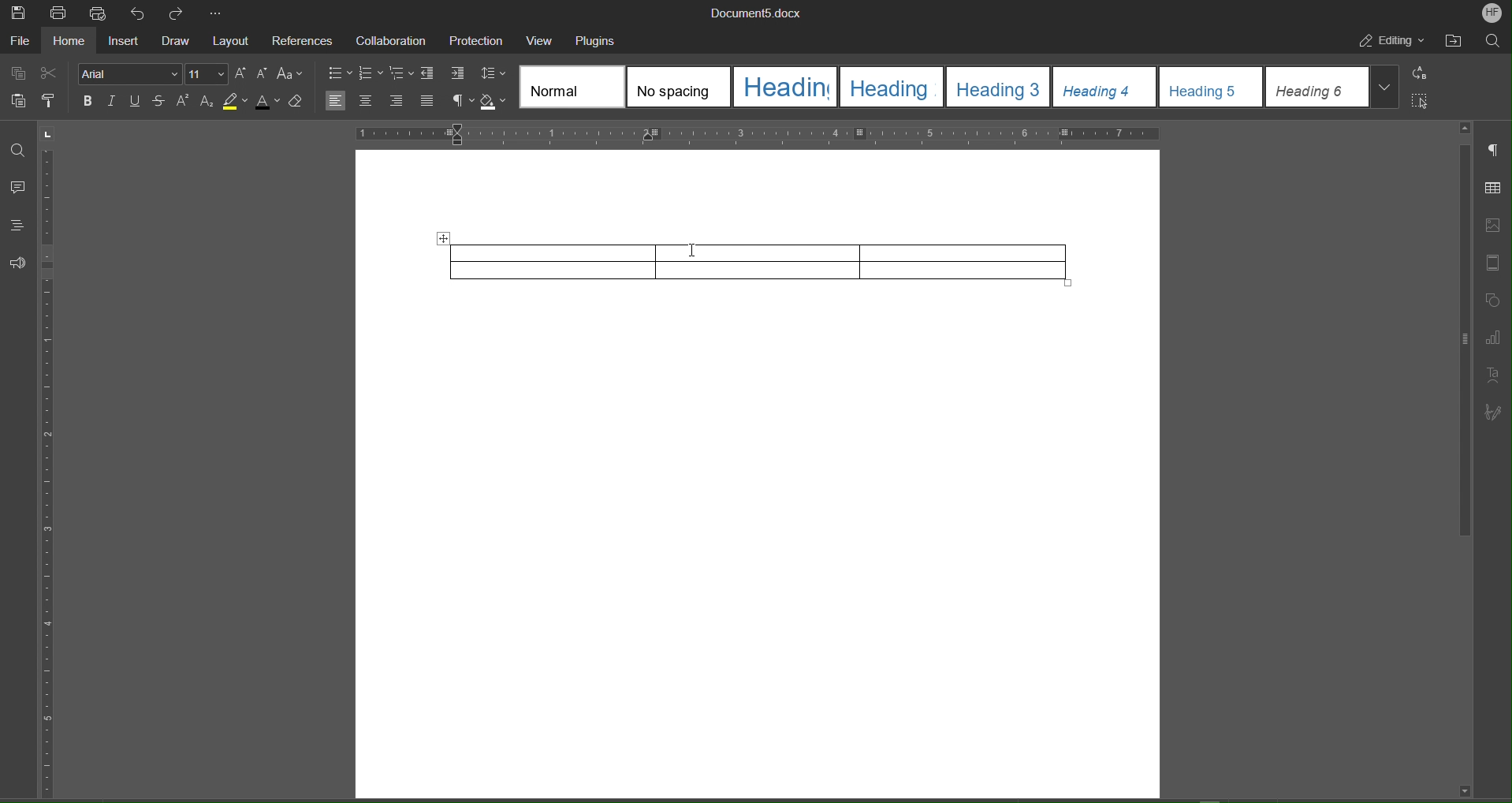 Image resolution: width=1512 pixels, height=803 pixels. Describe the element at coordinates (543, 40) in the screenshot. I see `View` at that location.